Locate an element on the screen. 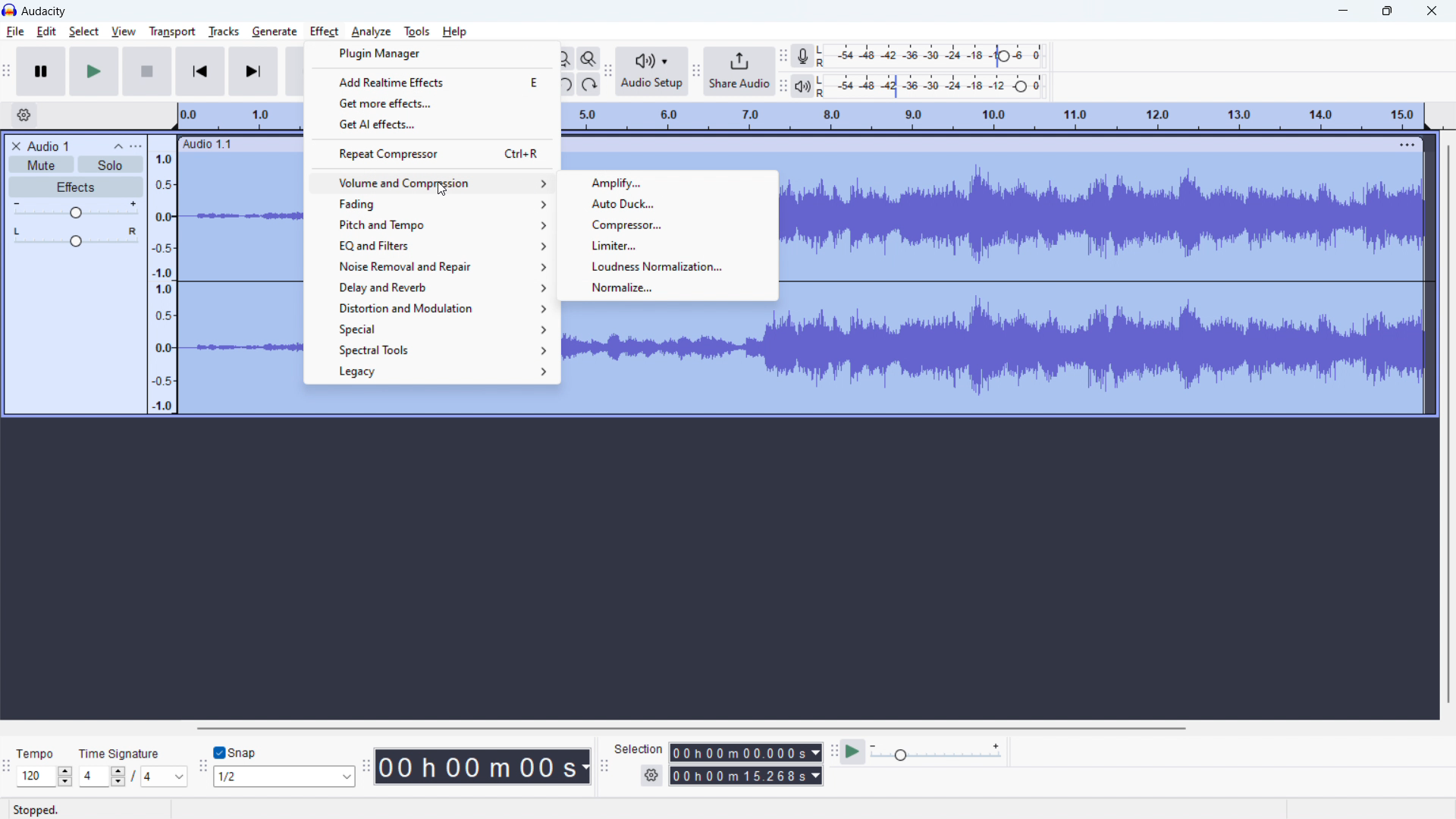  redo is located at coordinates (588, 84).